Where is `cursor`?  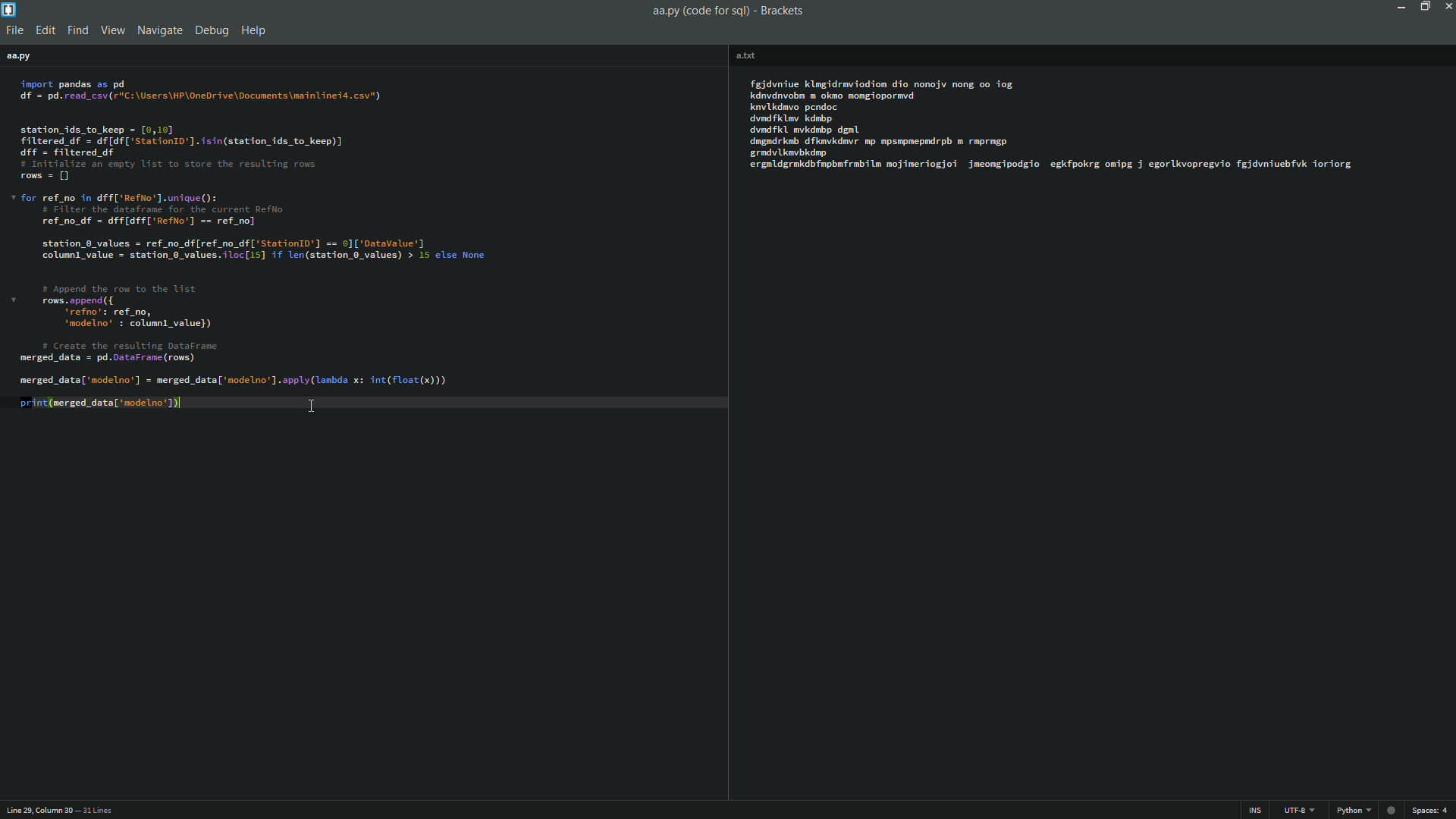 cursor is located at coordinates (180, 401).